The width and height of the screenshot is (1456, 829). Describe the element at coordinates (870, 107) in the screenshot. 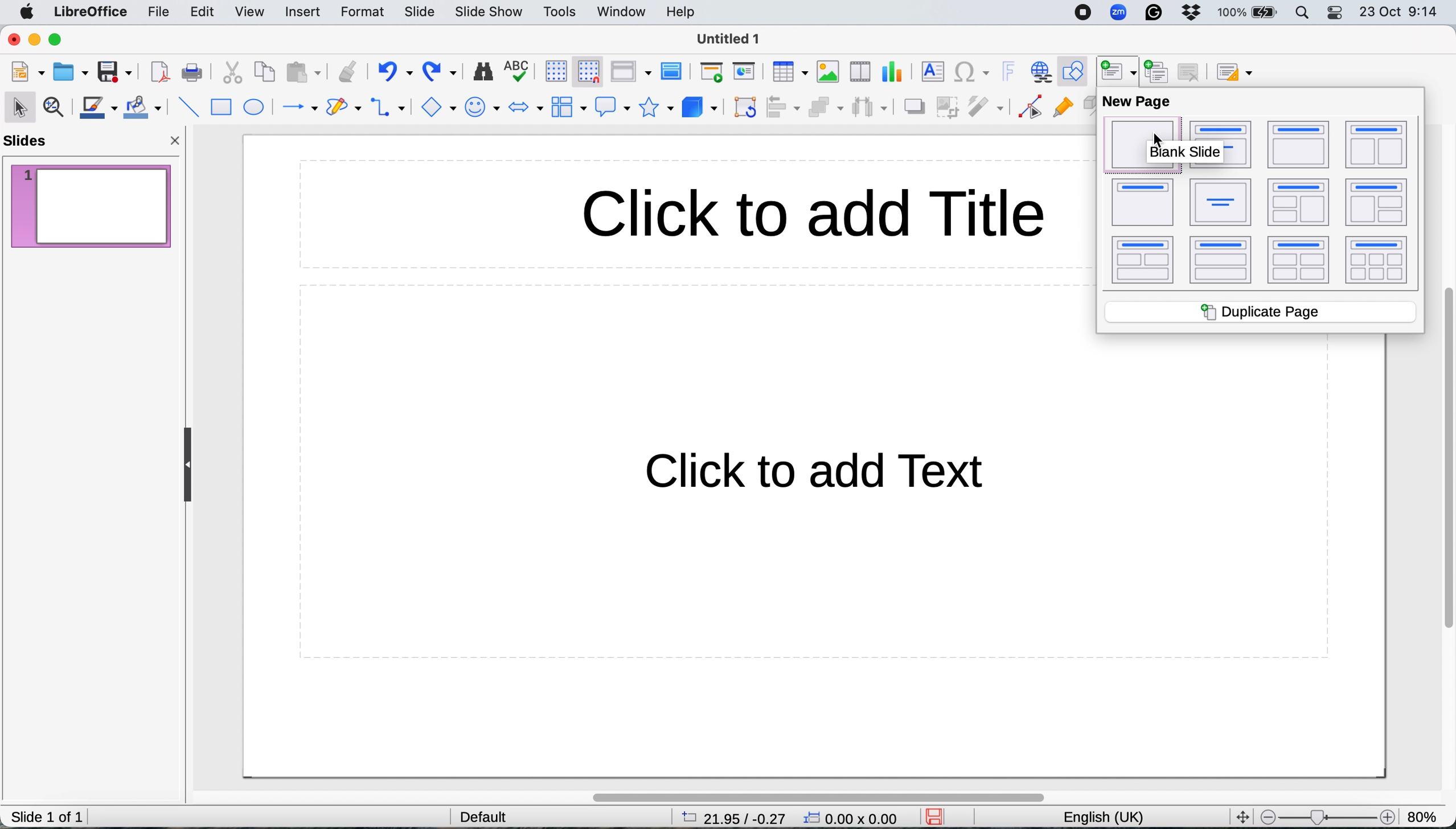

I see `select three objects to distribute` at that location.